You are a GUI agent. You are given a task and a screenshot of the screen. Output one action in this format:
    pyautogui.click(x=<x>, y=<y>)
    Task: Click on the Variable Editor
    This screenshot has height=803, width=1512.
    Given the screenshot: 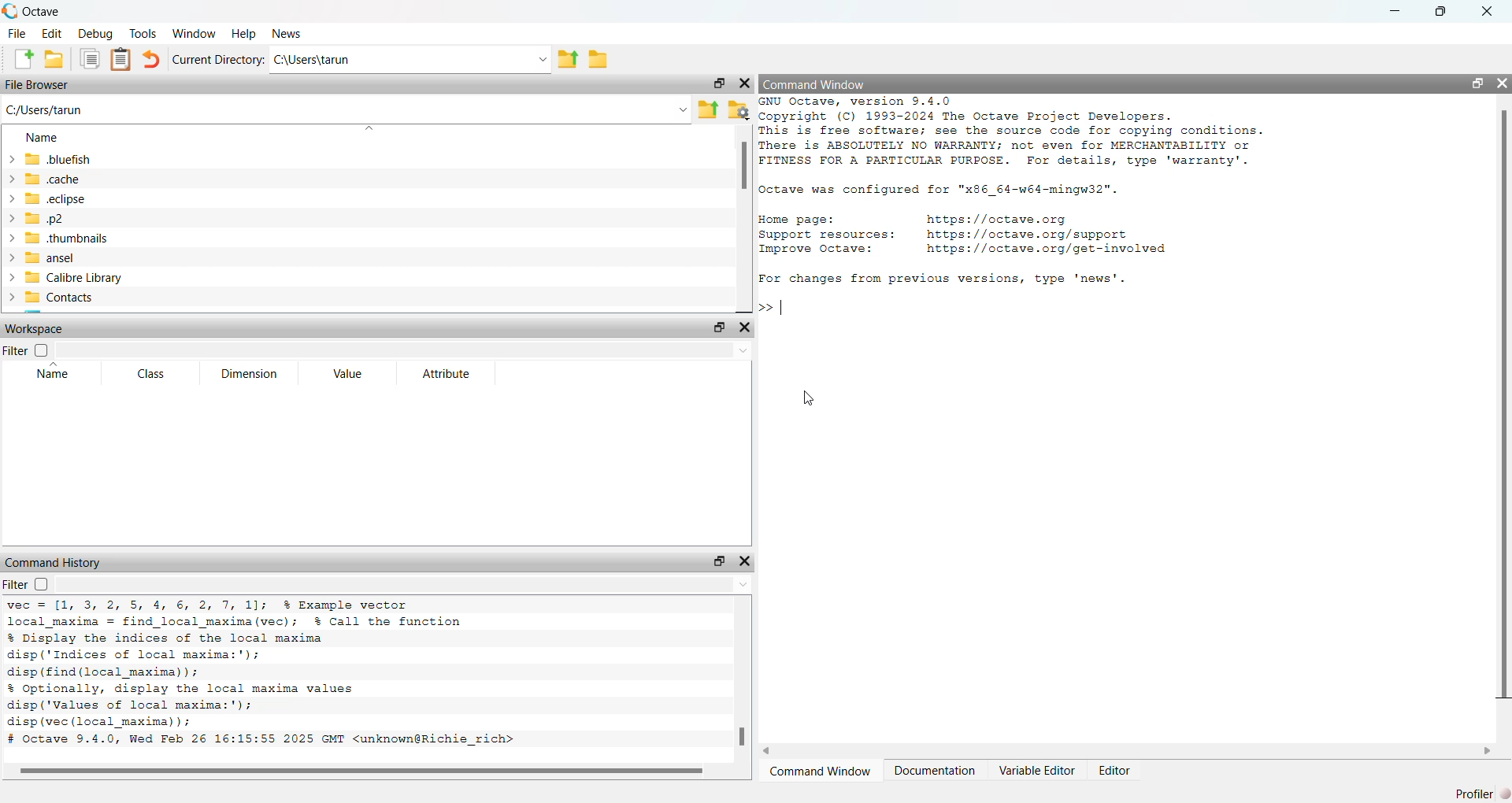 What is the action you would take?
    pyautogui.click(x=1036, y=771)
    